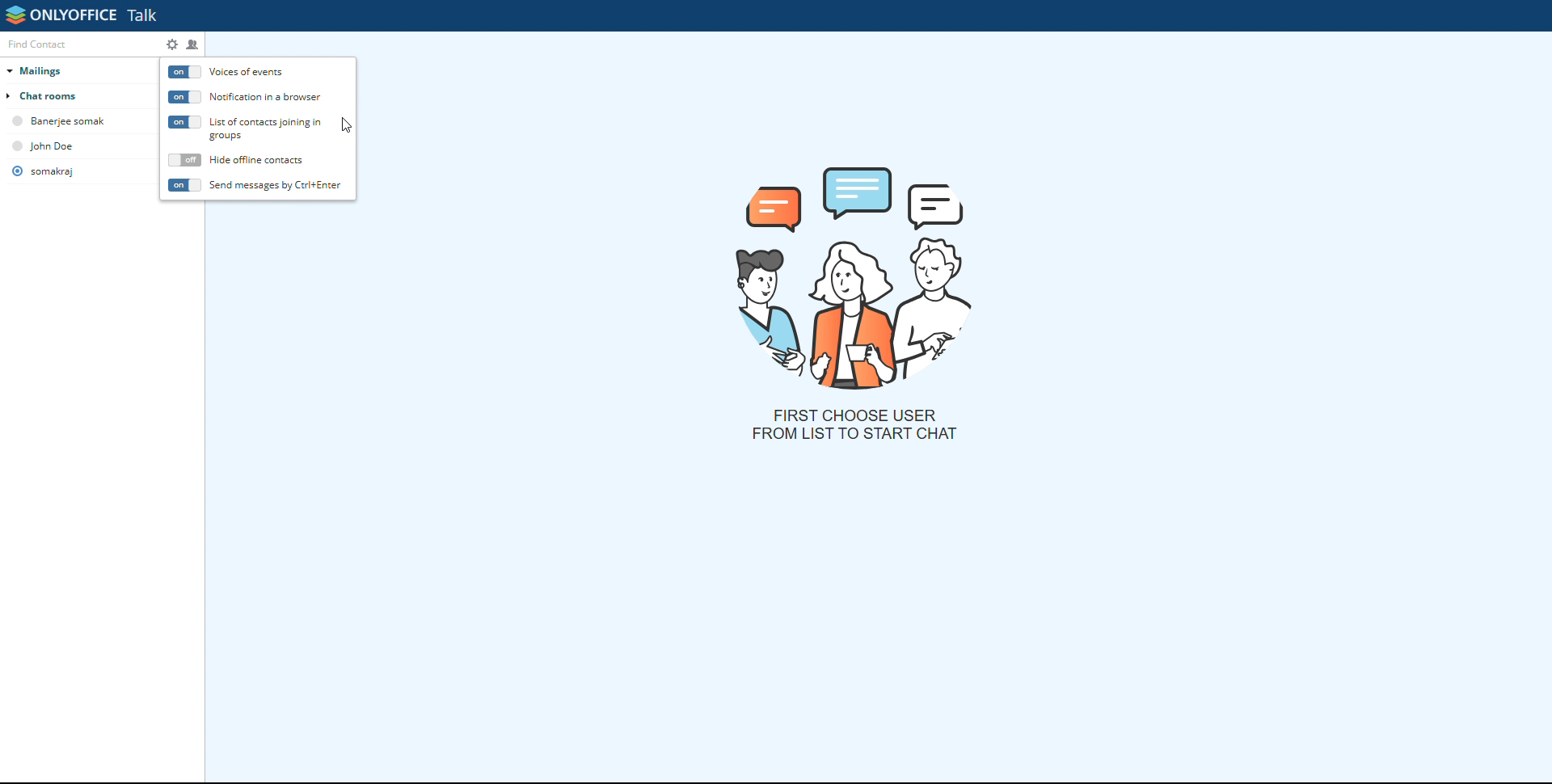 This screenshot has width=1552, height=784. I want to click on create chatroom, so click(194, 44).